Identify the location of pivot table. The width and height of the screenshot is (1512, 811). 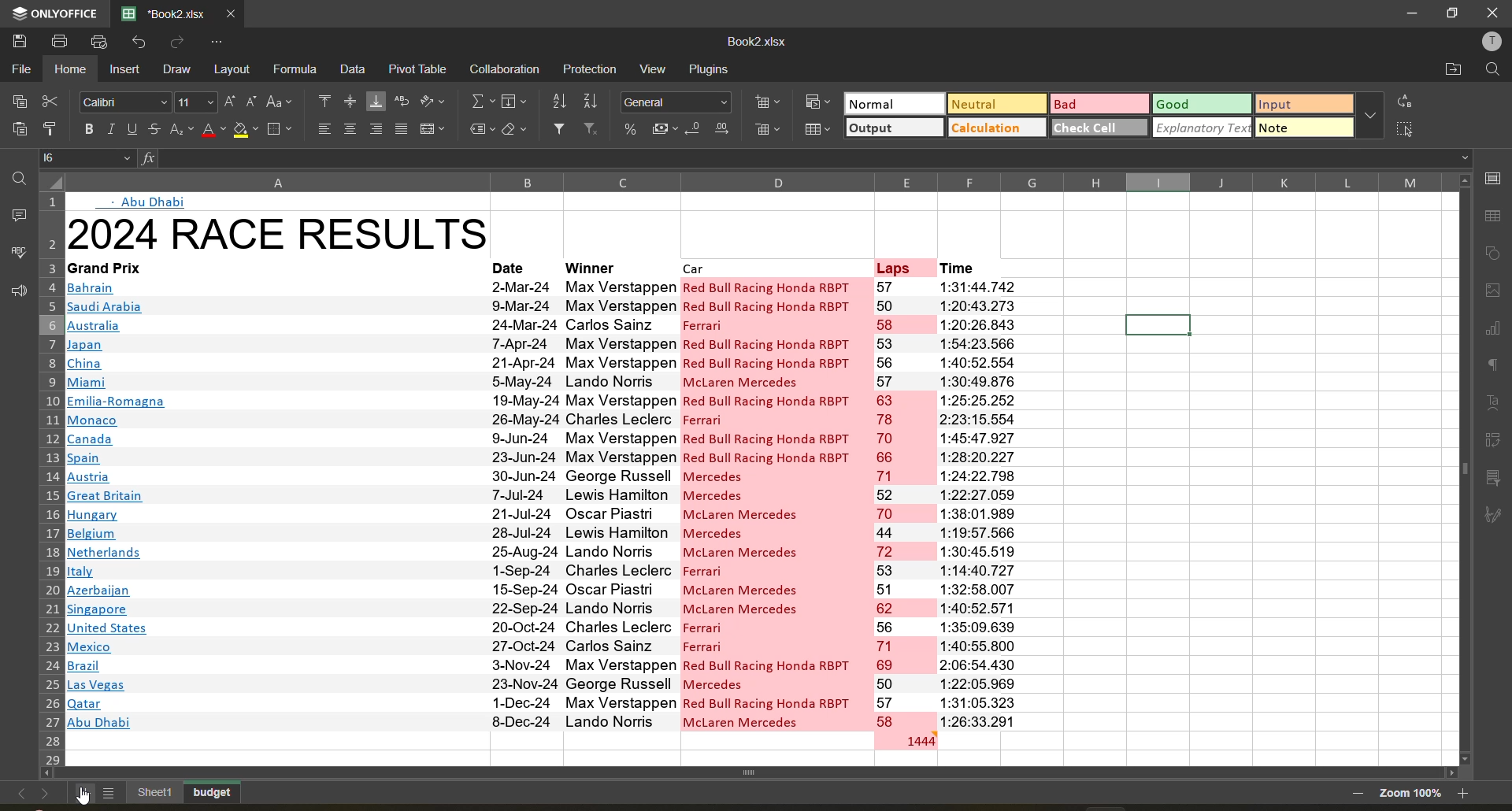
(1495, 440).